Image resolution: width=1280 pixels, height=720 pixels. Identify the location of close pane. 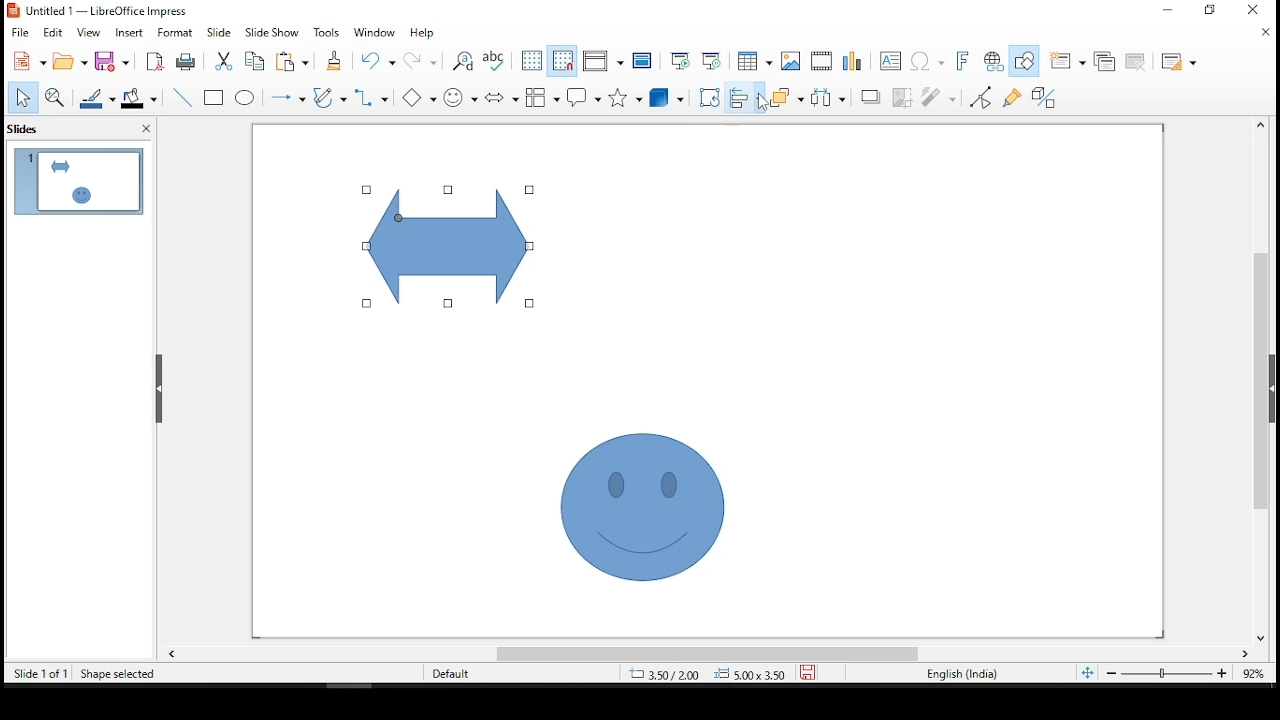
(148, 128).